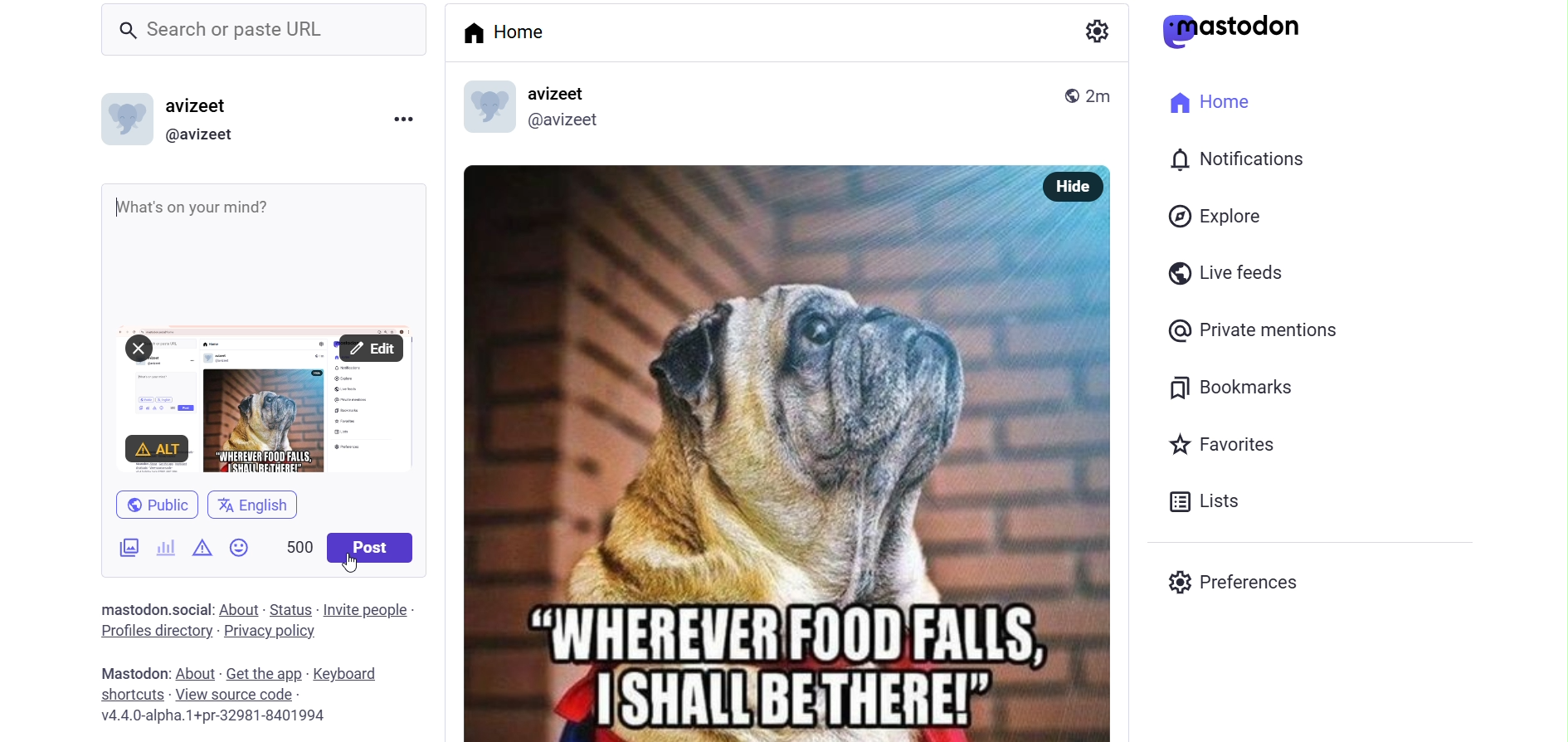 This screenshot has width=1568, height=742. What do you see at coordinates (196, 672) in the screenshot?
I see `about` at bounding box center [196, 672].